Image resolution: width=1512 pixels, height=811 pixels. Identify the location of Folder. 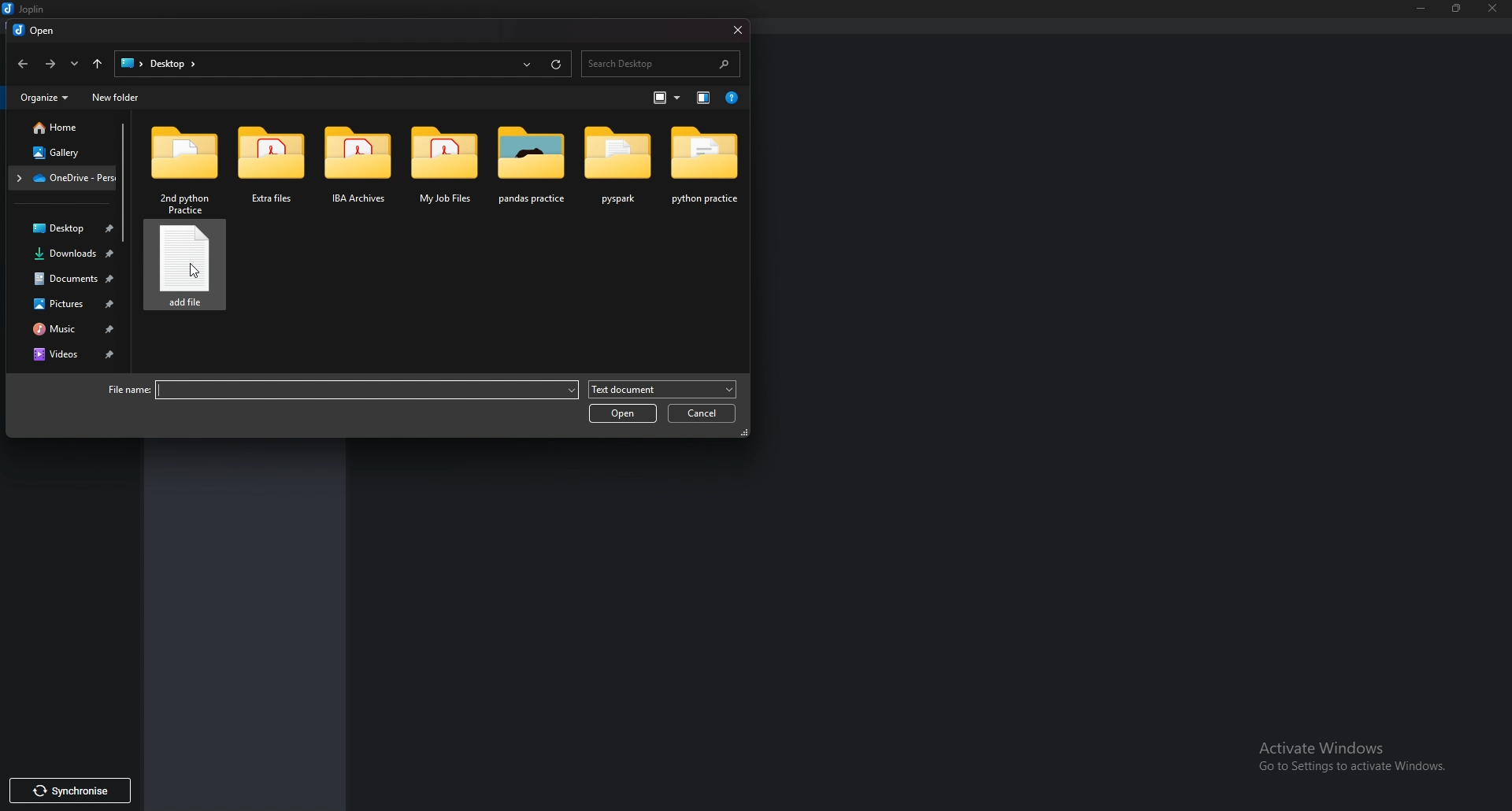
(618, 167).